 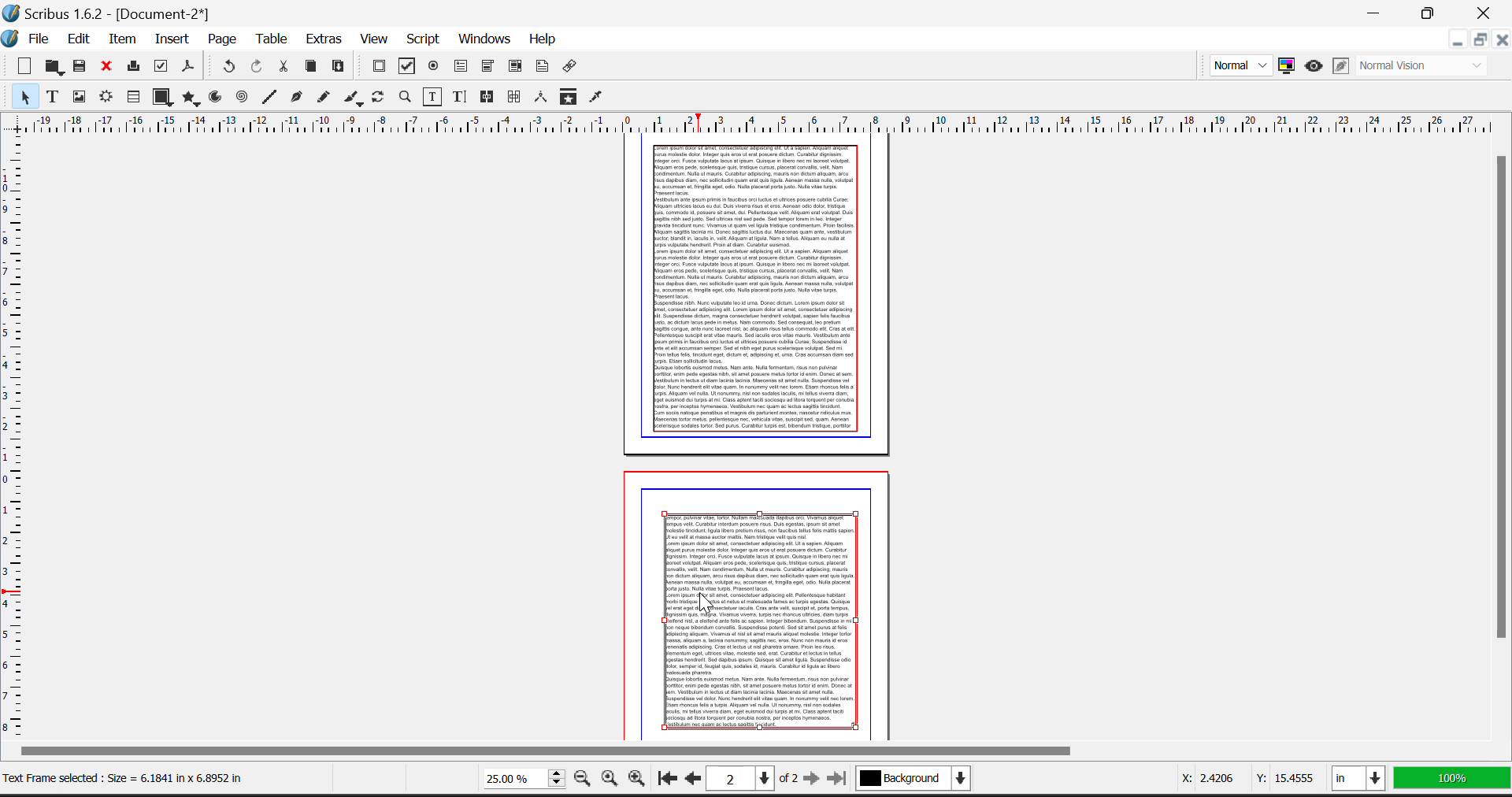 What do you see at coordinates (610, 780) in the screenshot?
I see `Zoom Settings` at bounding box center [610, 780].